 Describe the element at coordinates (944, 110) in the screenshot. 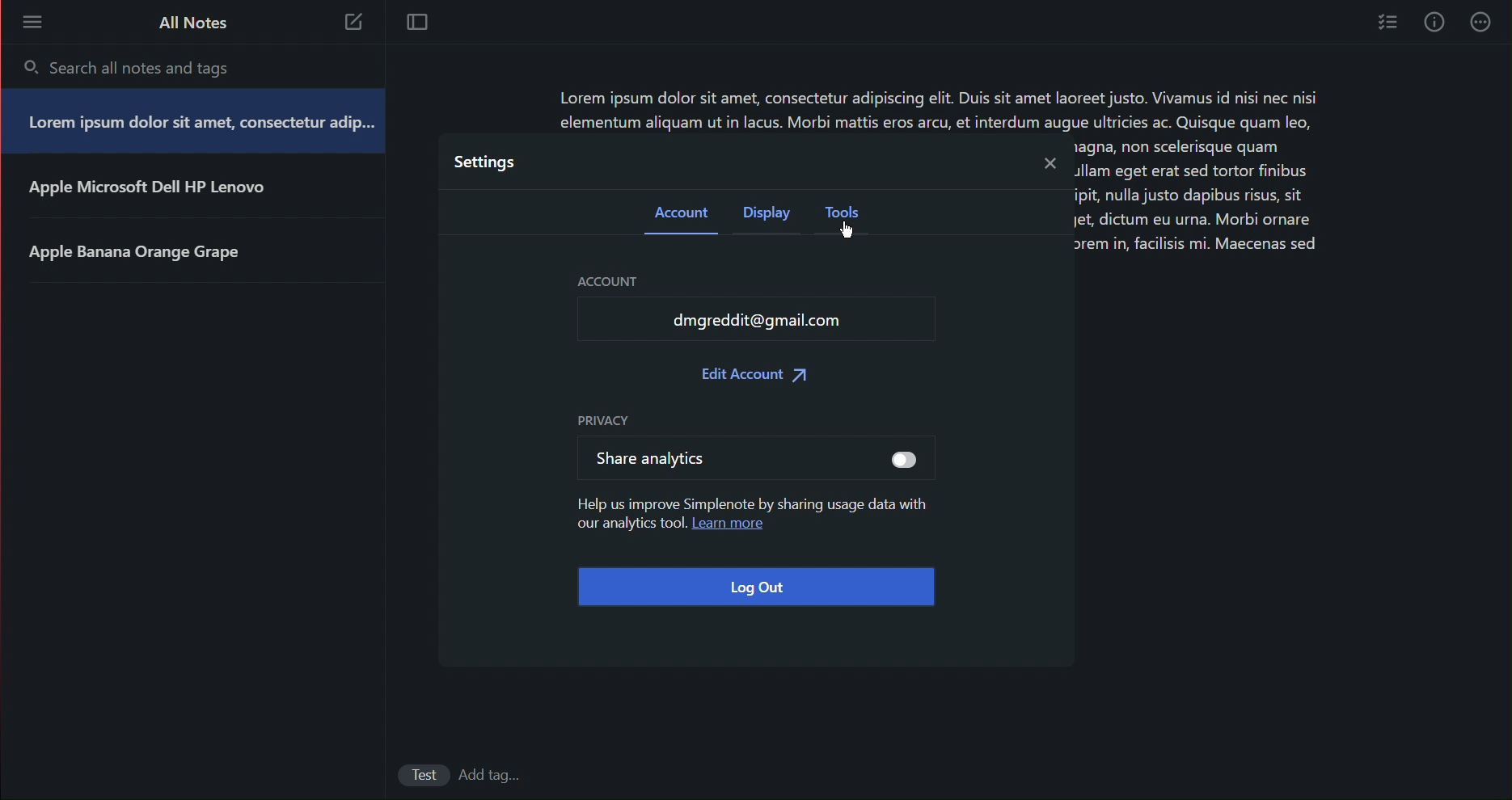

I see `Lorem ipsum dolor sit amet, consectetur adipiscing elit. Duis sit amet laoreet justo. Vivamus id nisi nec nisi
elementum aliquam ut in lacus. Morbi mattis eros arcu, et interdum augue ultricies ac. Quisque quam leo,` at that location.